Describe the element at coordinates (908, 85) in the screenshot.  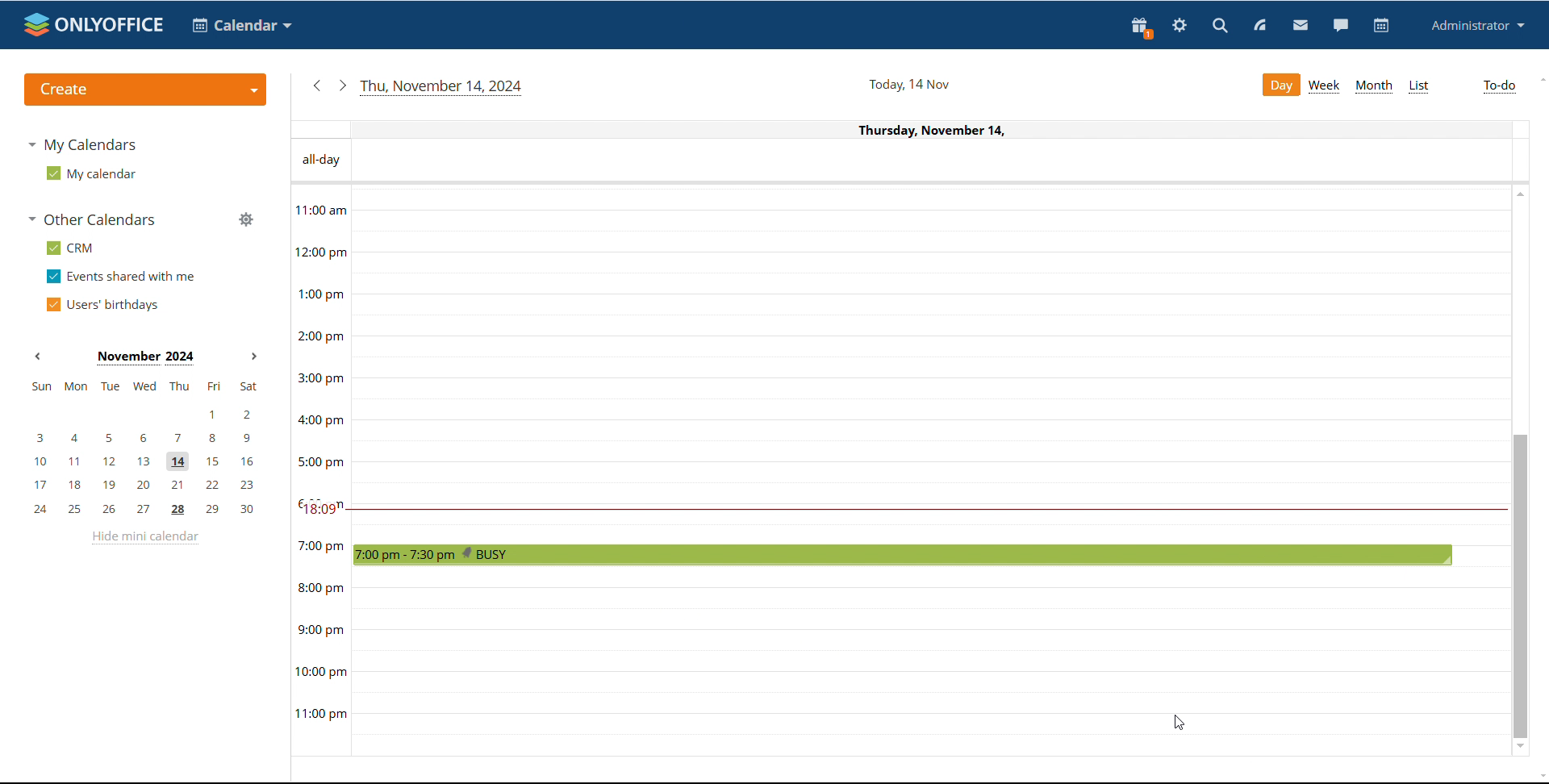
I see `current date` at that location.